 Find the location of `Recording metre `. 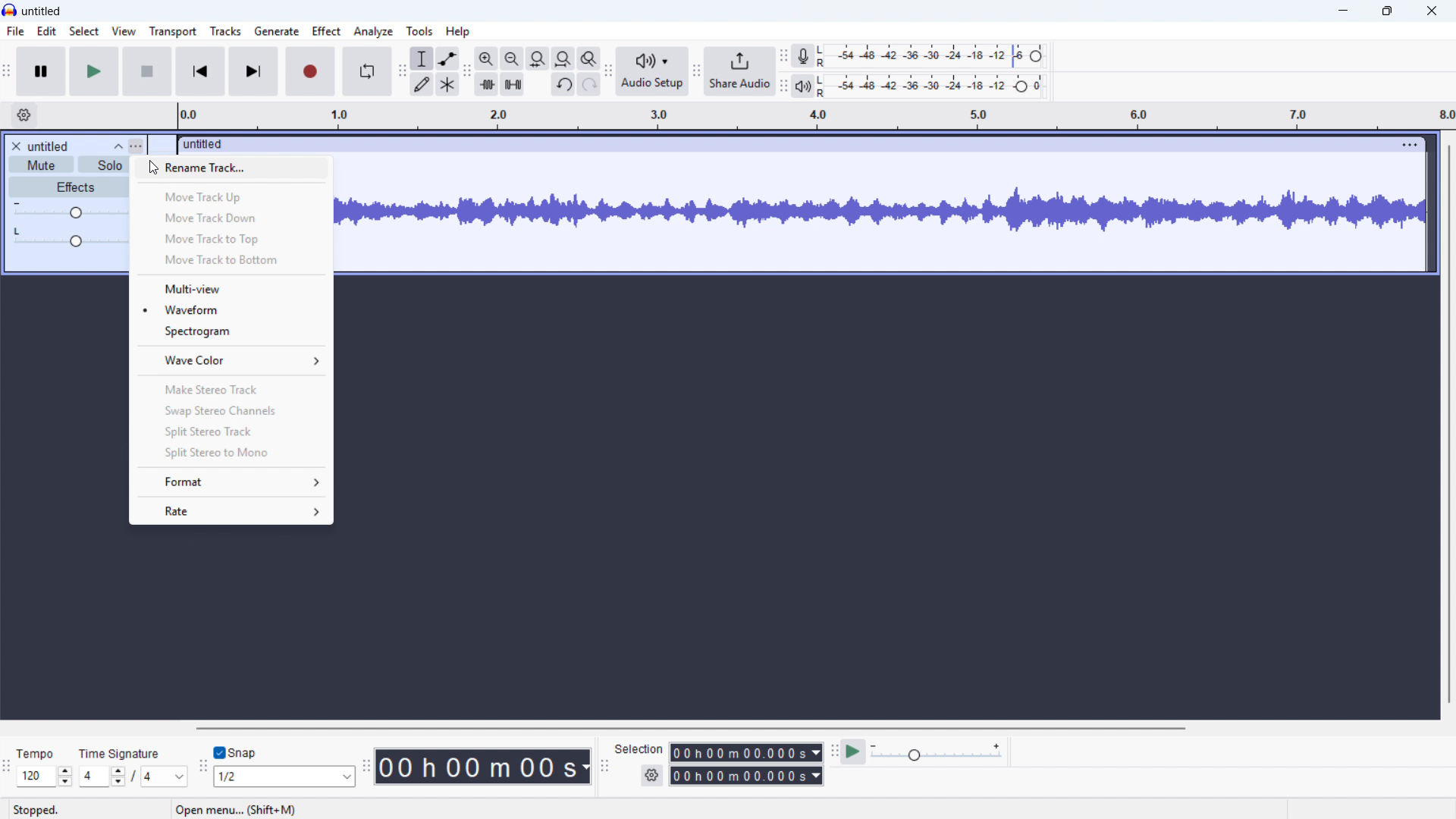

Recording metre  is located at coordinates (802, 56).